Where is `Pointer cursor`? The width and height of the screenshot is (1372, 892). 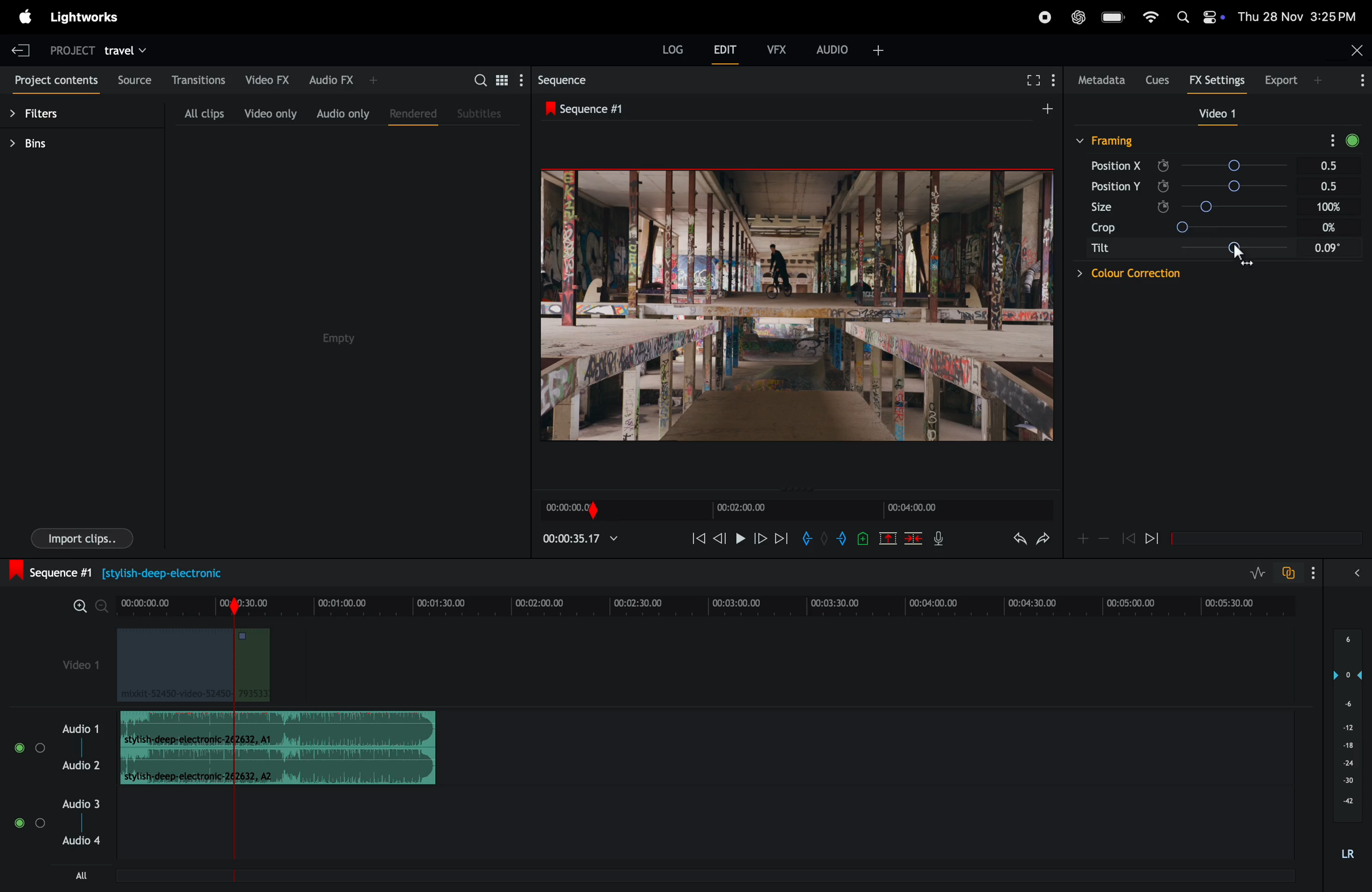
Pointer cursor is located at coordinates (1238, 258).